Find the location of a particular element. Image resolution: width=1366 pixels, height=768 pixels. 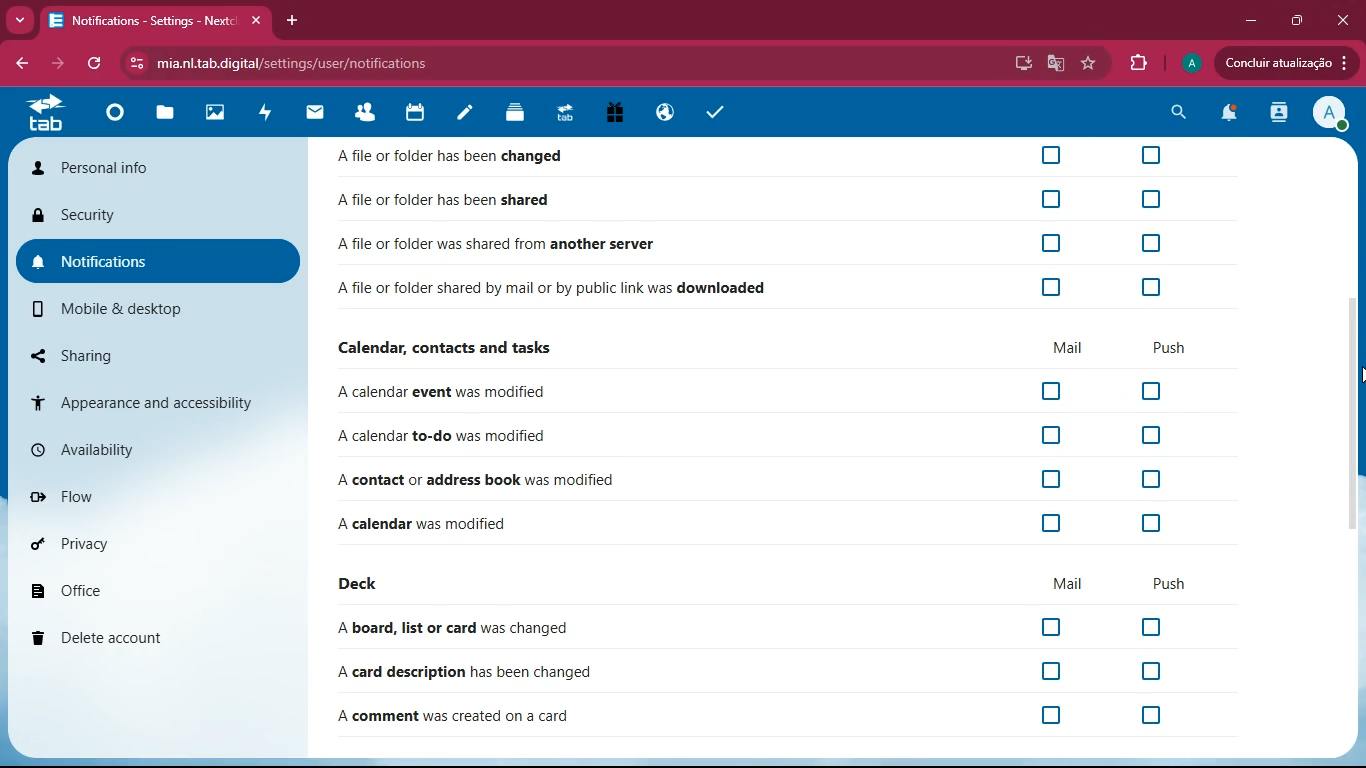

push is located at coordinates (1177, 347).